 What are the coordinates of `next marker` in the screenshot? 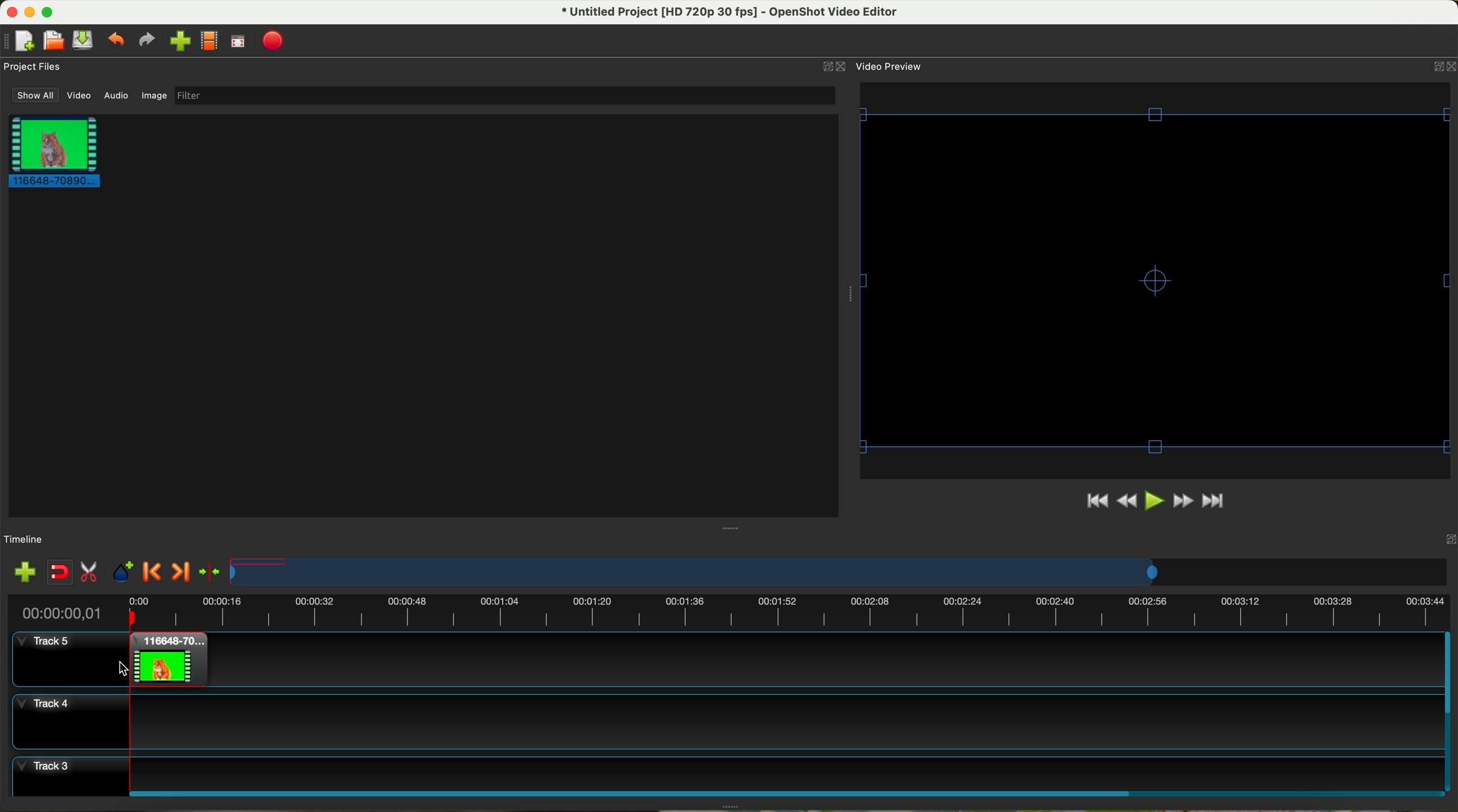 It's located at (183, 573).